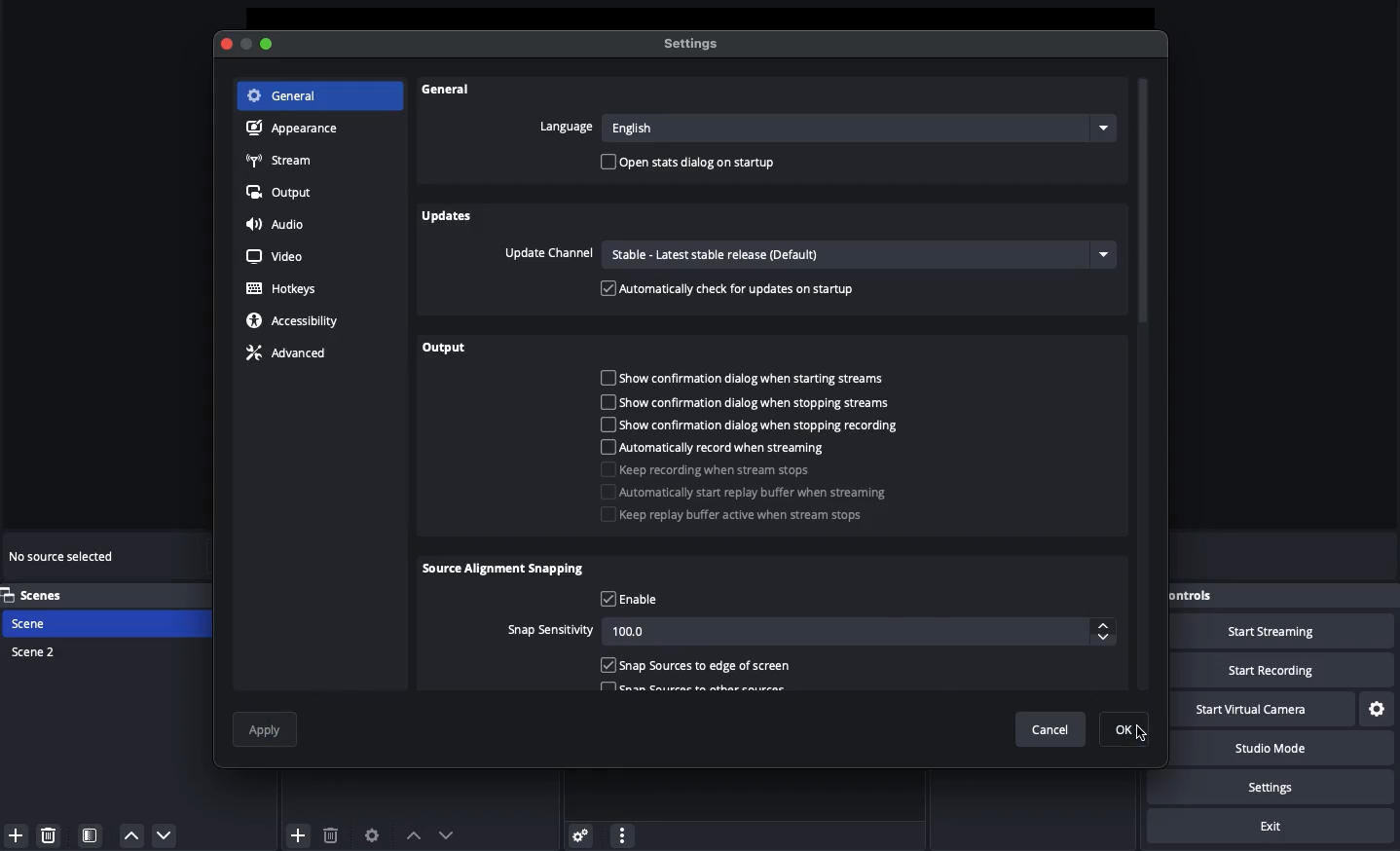  I want to click on General, so click(286, 95).